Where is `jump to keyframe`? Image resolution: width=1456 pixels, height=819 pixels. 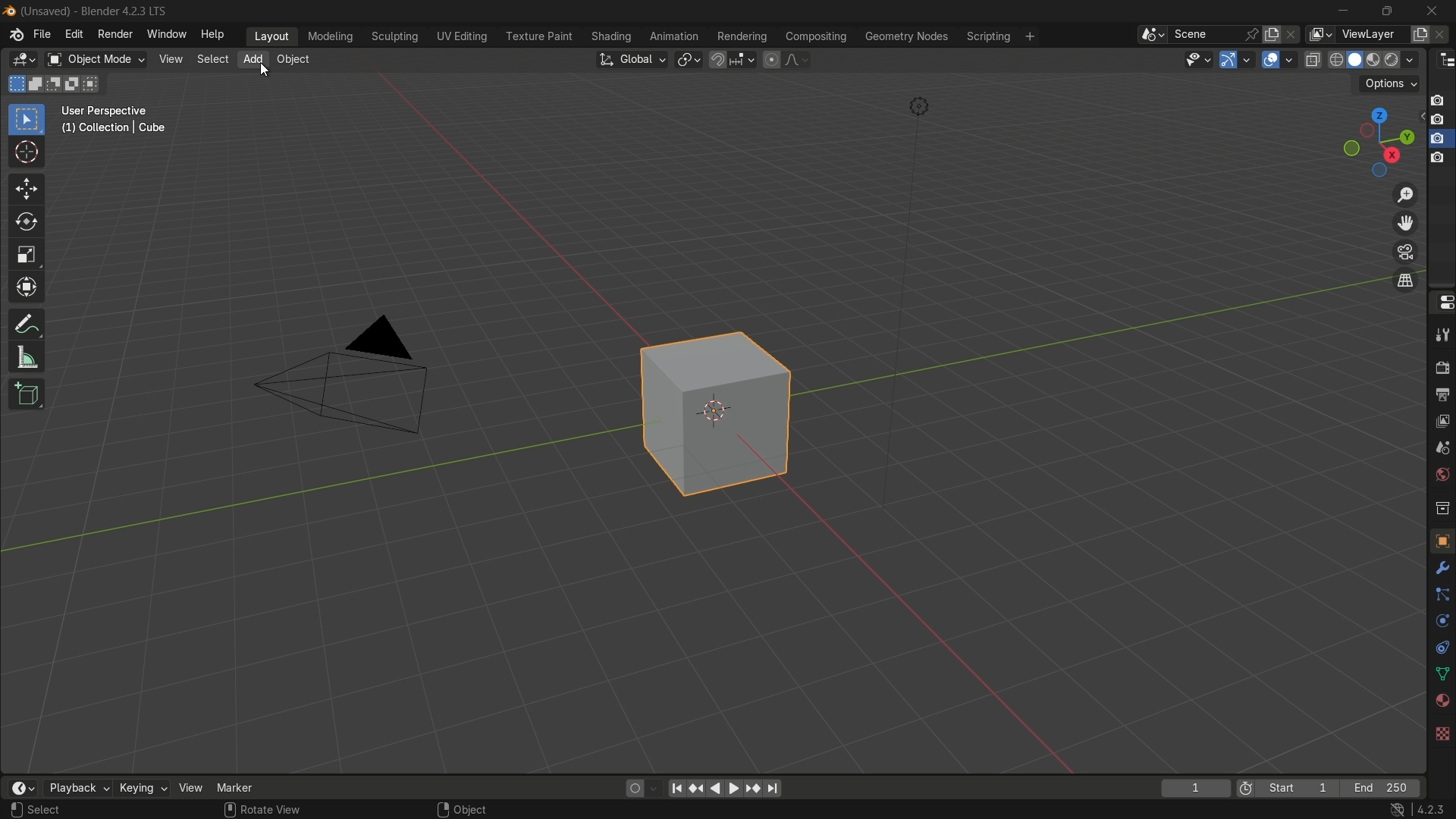
jump to keyframe is located at coordinates (755, 789).